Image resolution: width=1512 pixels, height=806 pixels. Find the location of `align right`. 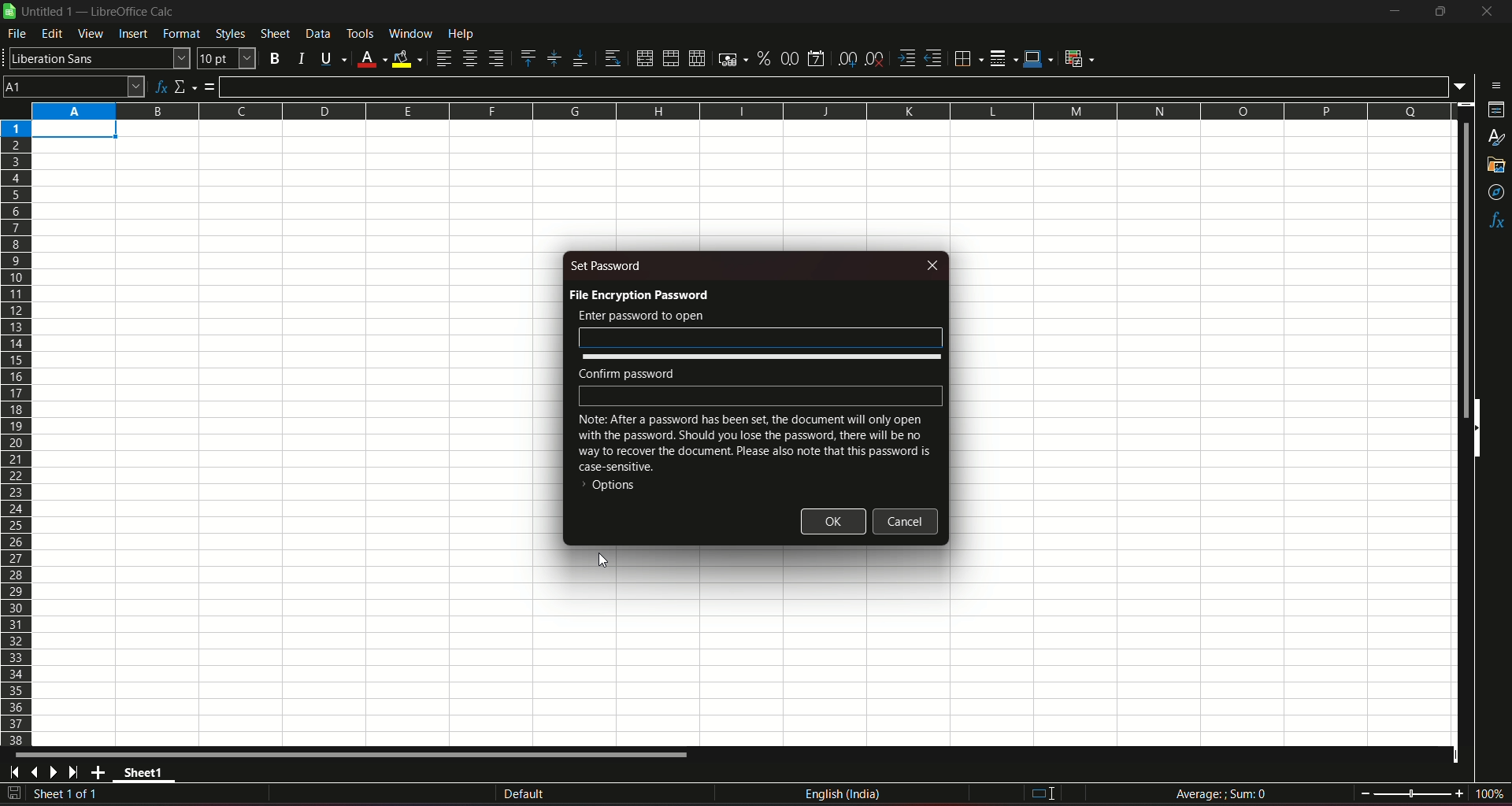

align right is located at coordinates (497, 59).